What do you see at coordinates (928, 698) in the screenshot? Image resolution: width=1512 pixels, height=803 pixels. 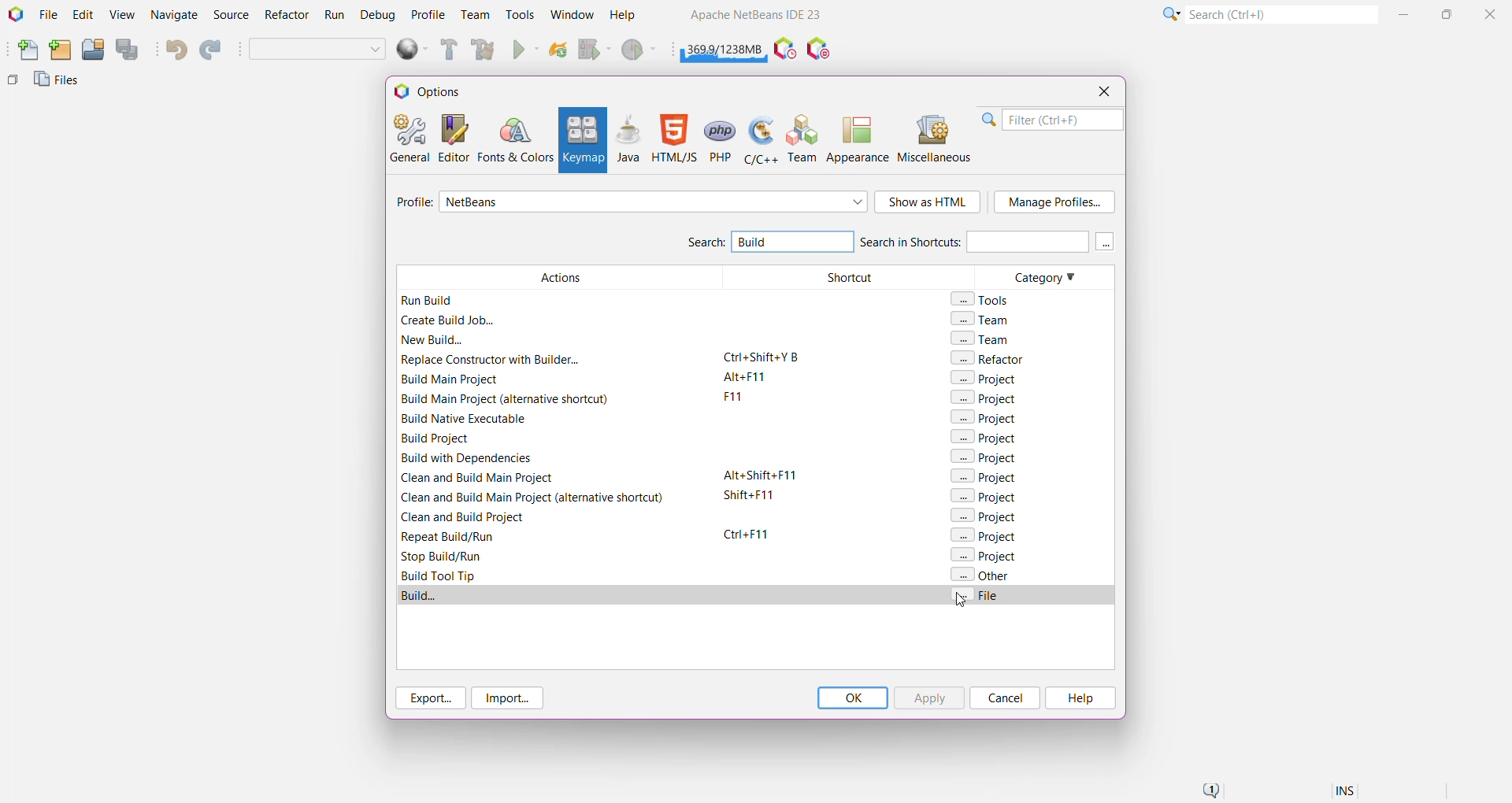 I see `Apply` at bounding box center [928, 698].